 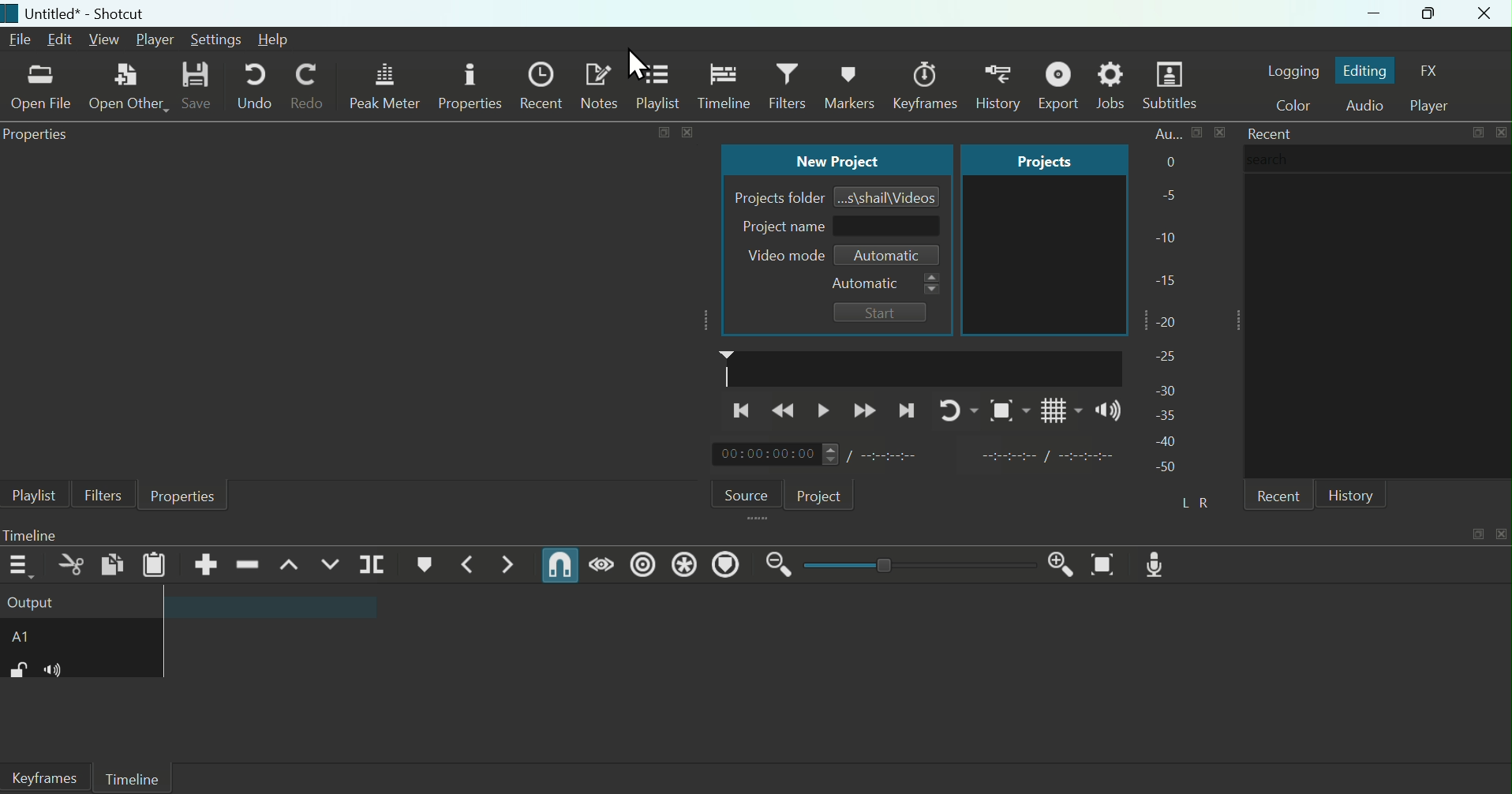 What do you see at coordinates (207, 564) in the screenshot?
I see `Append` at bounding box center [207, 564].